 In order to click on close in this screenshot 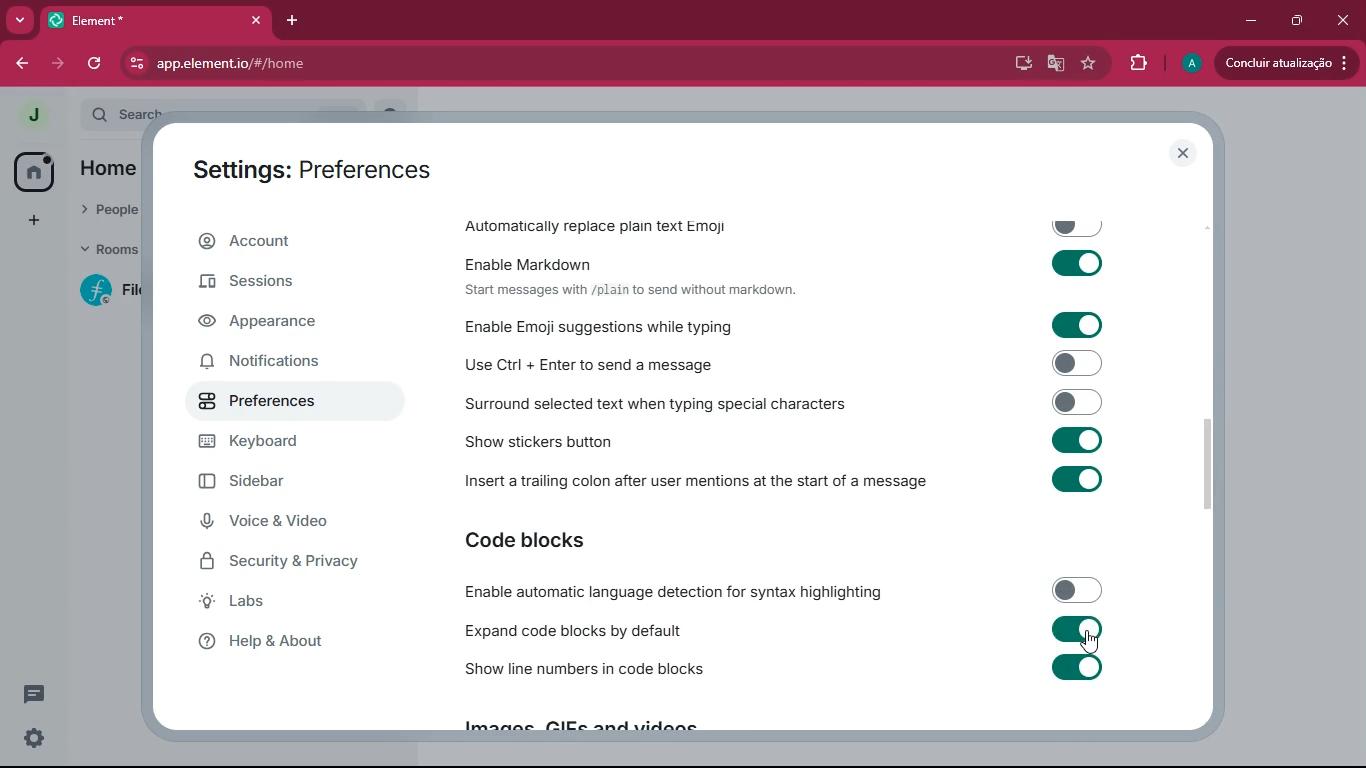, I will do `click(1342, 21)`.